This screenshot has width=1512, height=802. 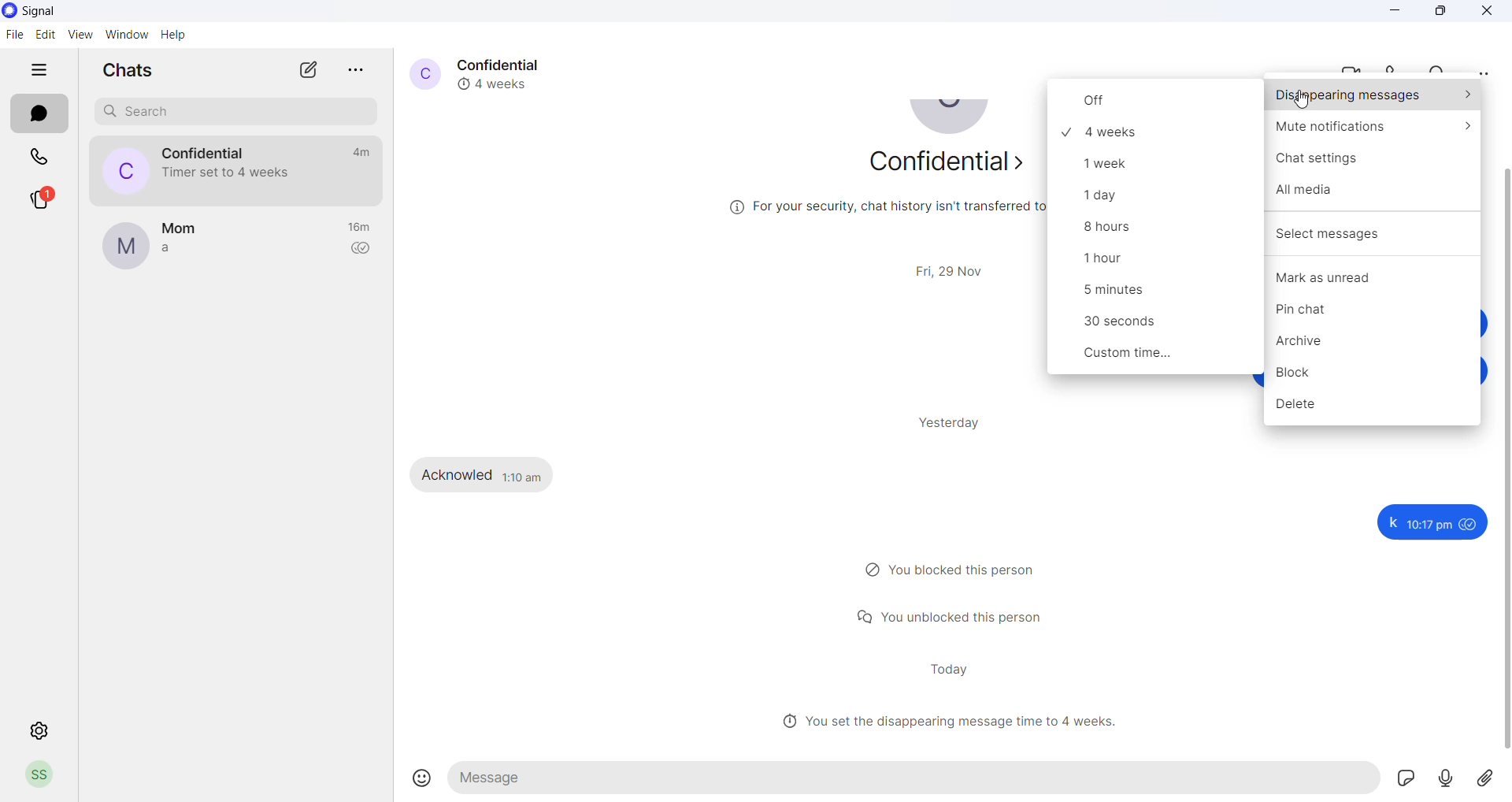 I want to click on share attachment, so click(x=1492, y=778).